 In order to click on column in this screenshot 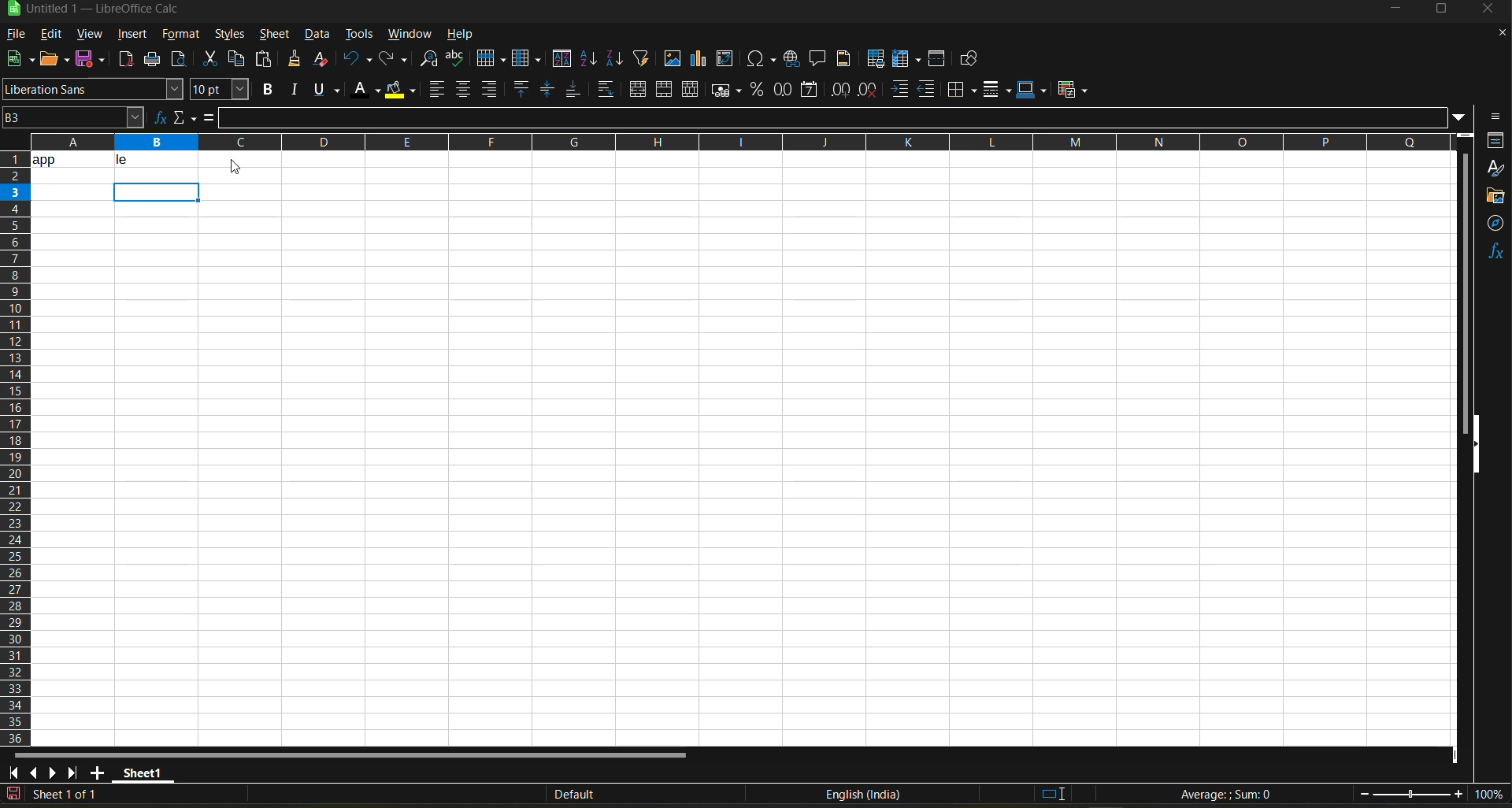, I will do `click(528, 61)`.